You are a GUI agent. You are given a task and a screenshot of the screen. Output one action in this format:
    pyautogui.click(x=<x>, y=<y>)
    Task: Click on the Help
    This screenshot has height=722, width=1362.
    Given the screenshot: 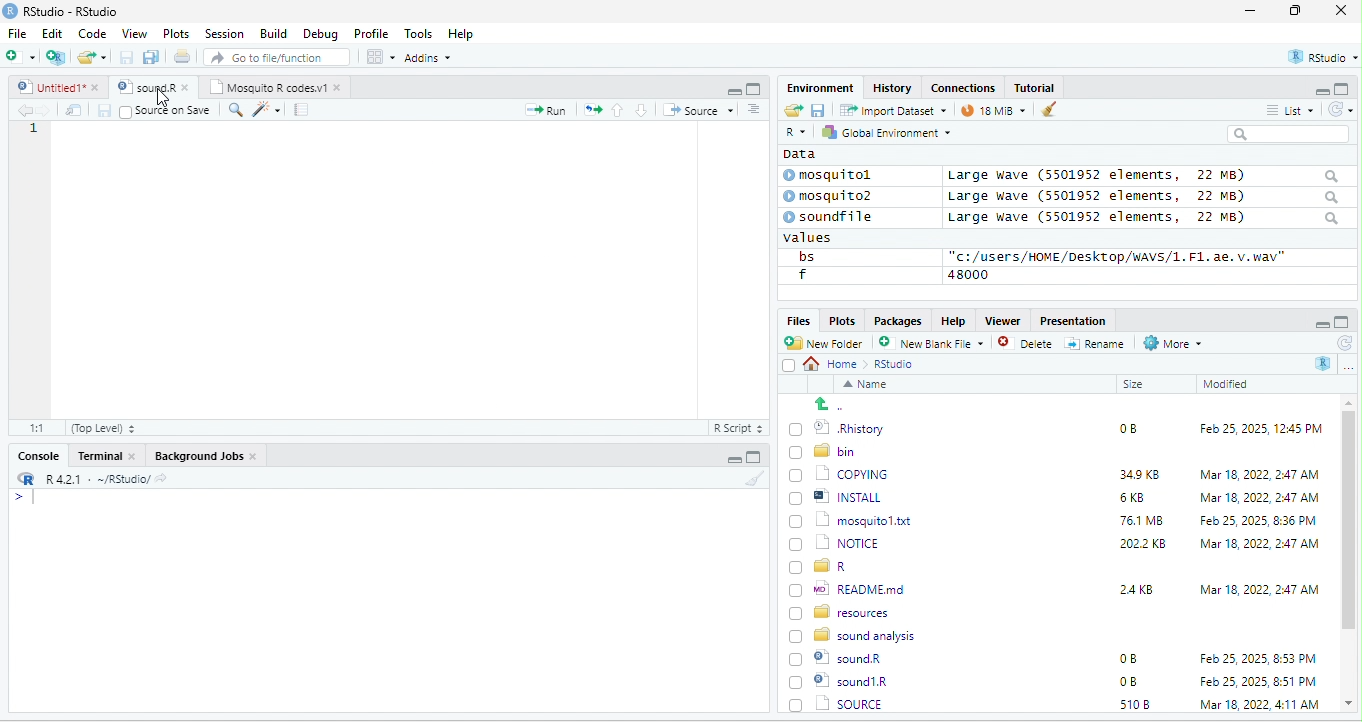 What is the action you would take?
    pyautogui.click(x=953, y=319)
    